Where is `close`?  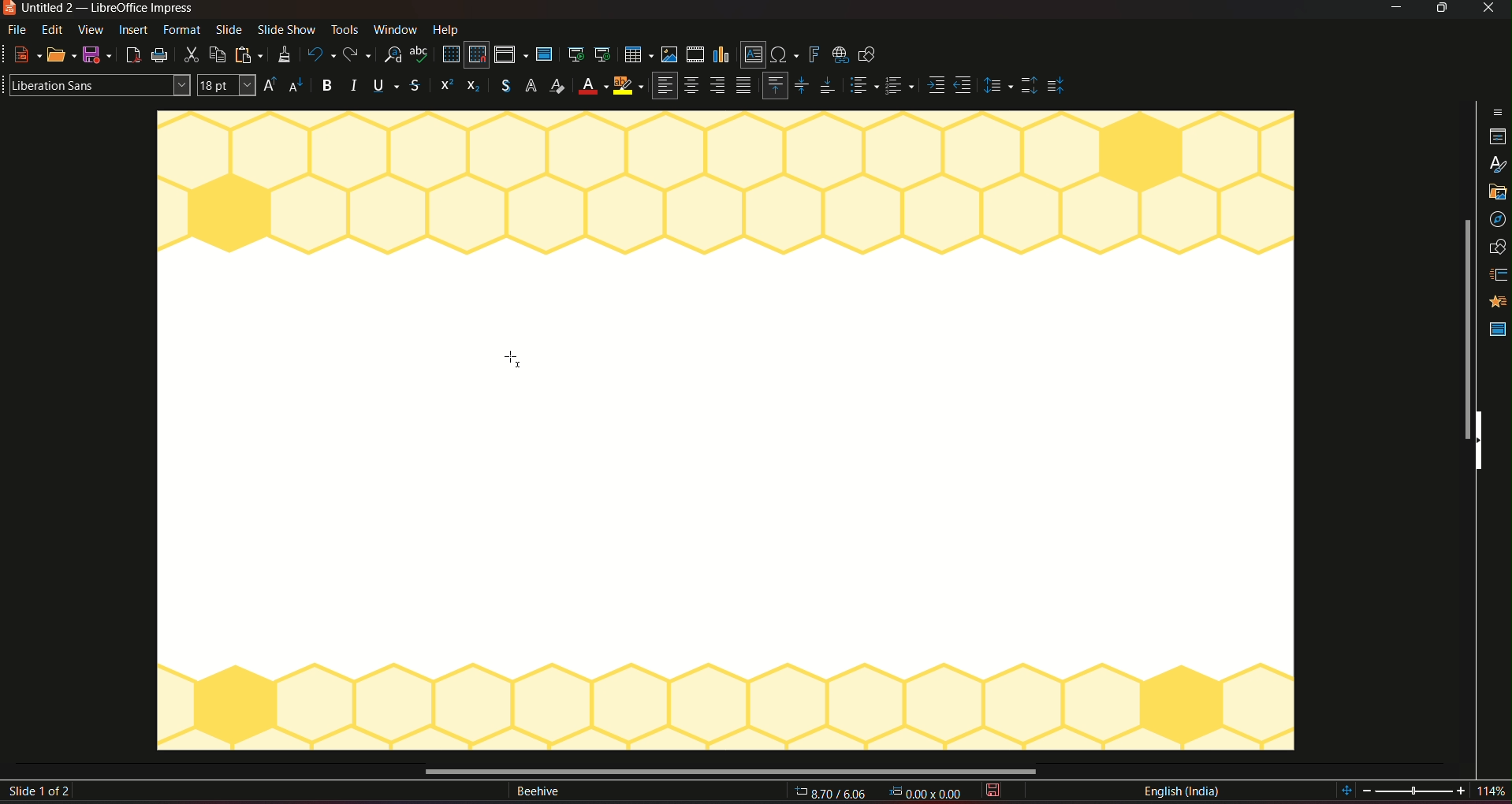
close is located at coordinates (1488, 9).